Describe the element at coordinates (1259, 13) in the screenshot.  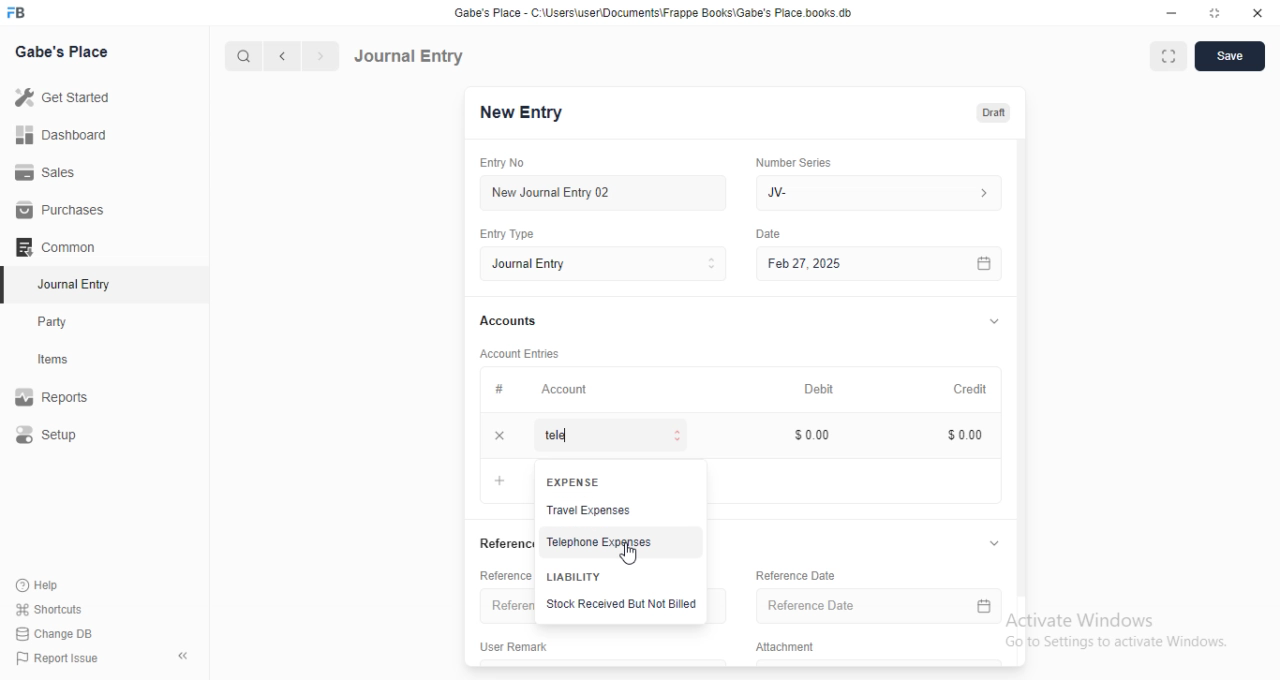
I see `Close` at that location.